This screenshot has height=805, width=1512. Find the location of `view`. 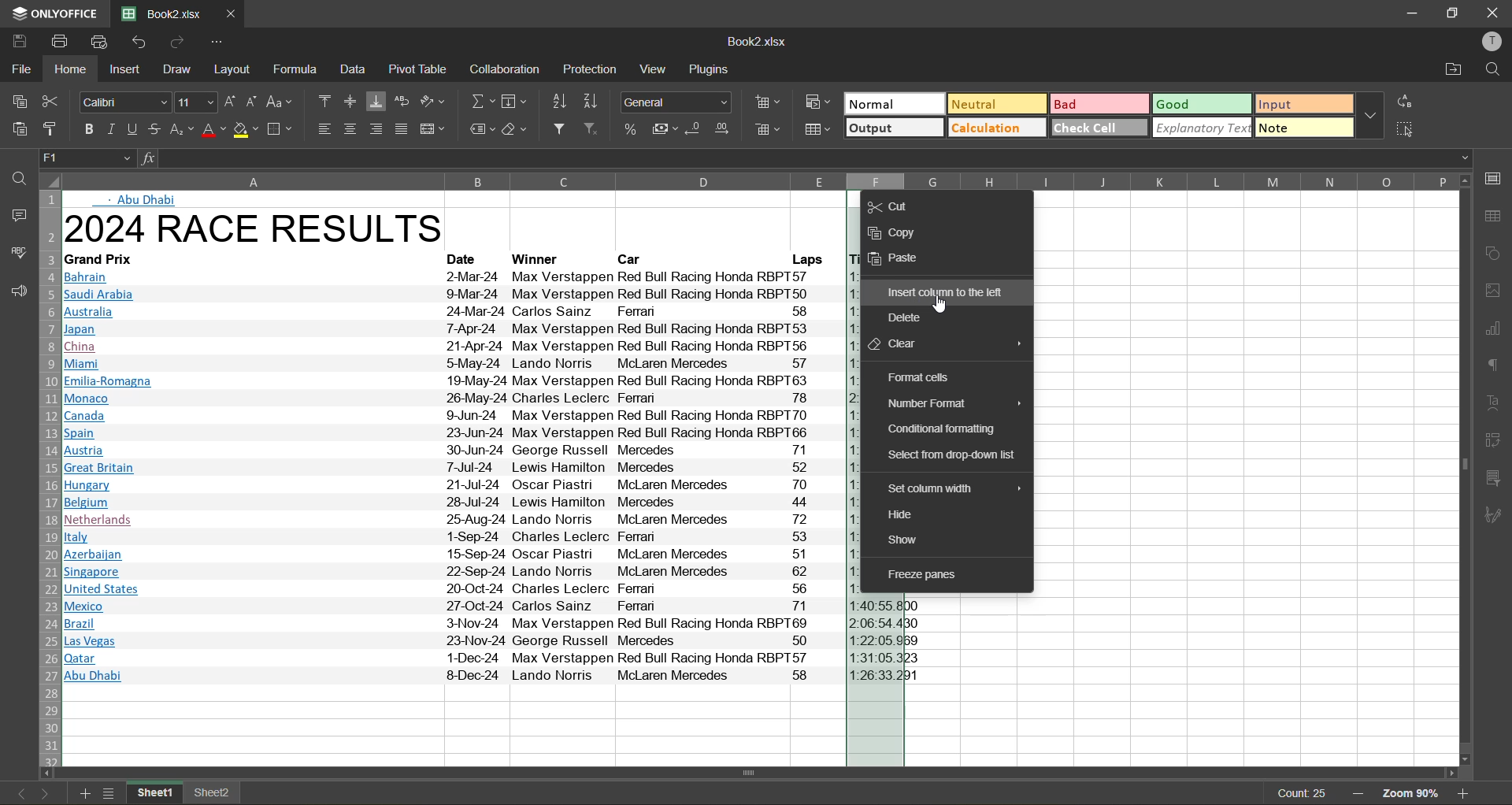

view is located at coordinates (655, 69).